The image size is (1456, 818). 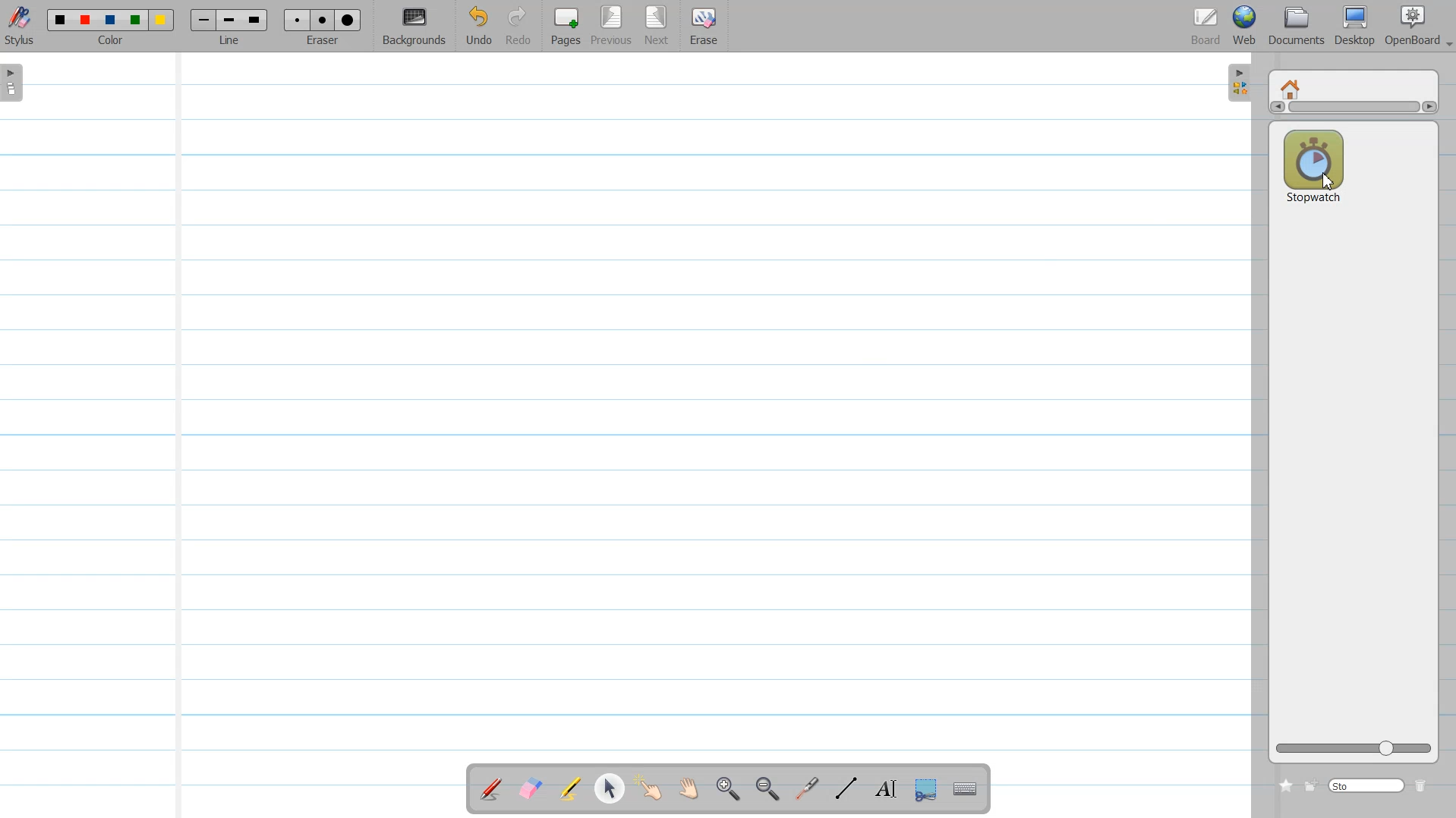 What do you see at coordinates (1292, 87) in the screenshot?
I see `Home window` at bounding box center [1292, 87].